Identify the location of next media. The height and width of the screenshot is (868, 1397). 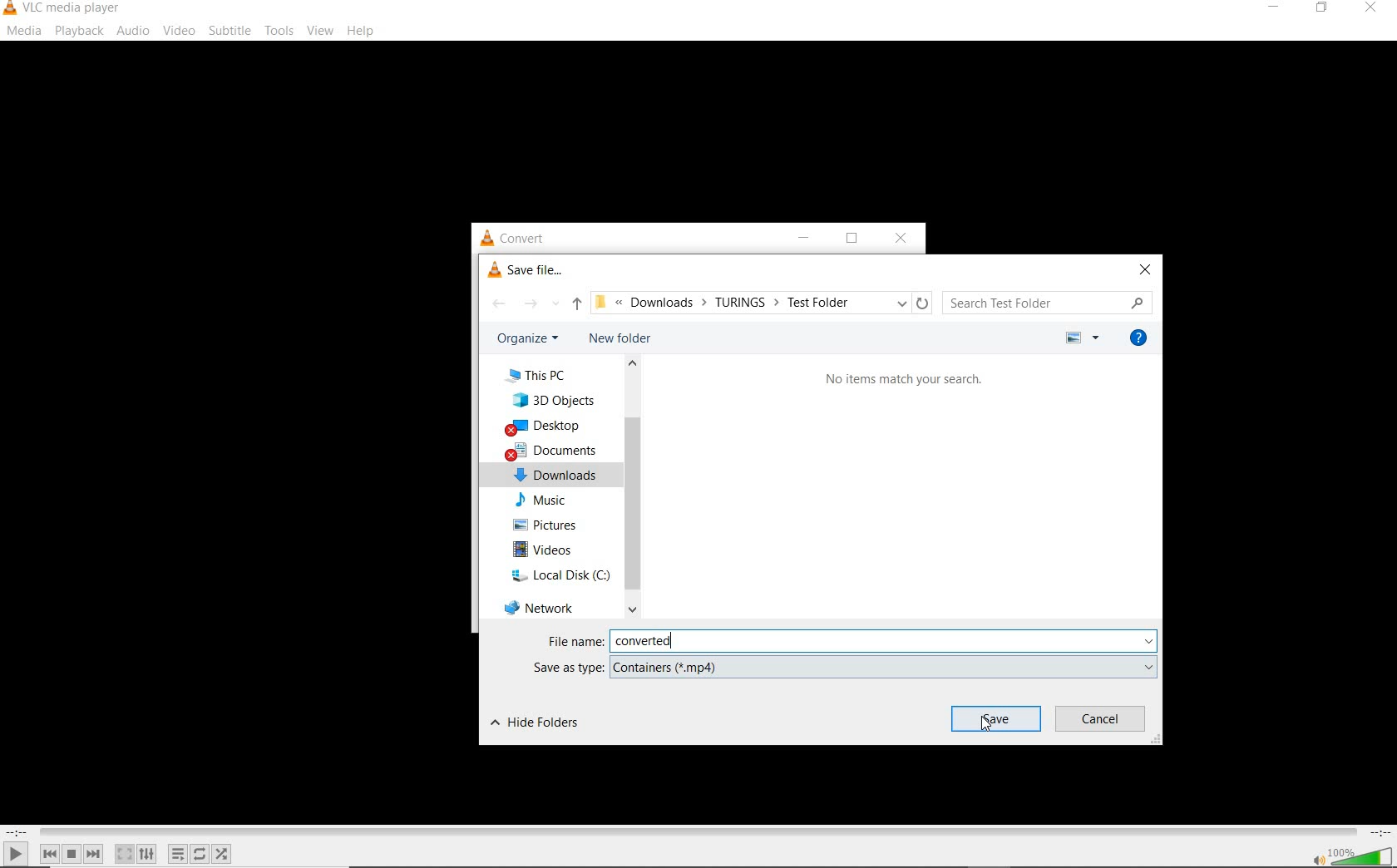
(95, 854).